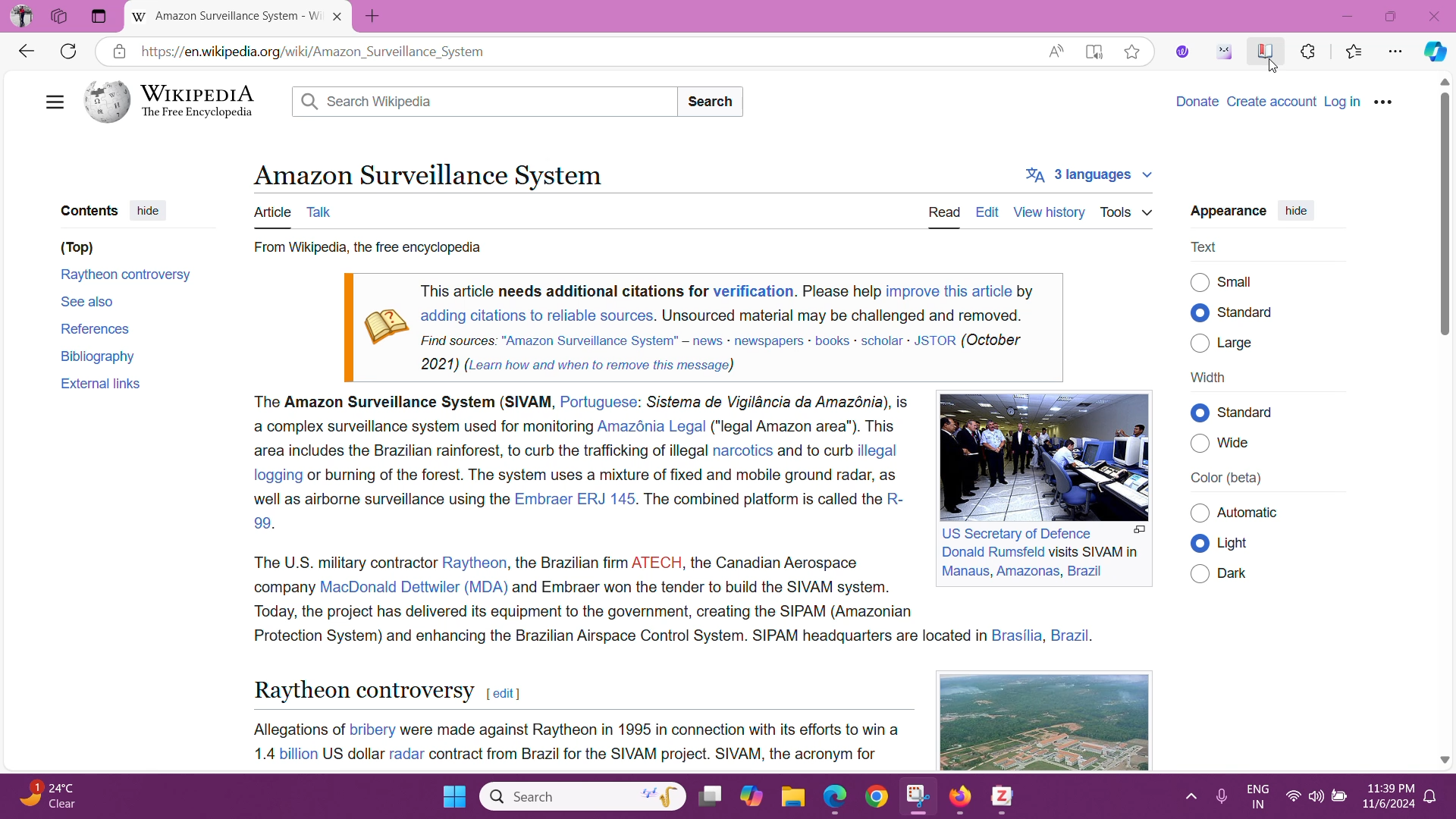 Image resolution: width=1456 pixels, height=819 pixels. Describe the element at coordinates (362, 690) in the screenshot. I see `Raytheon controversy` at that location.